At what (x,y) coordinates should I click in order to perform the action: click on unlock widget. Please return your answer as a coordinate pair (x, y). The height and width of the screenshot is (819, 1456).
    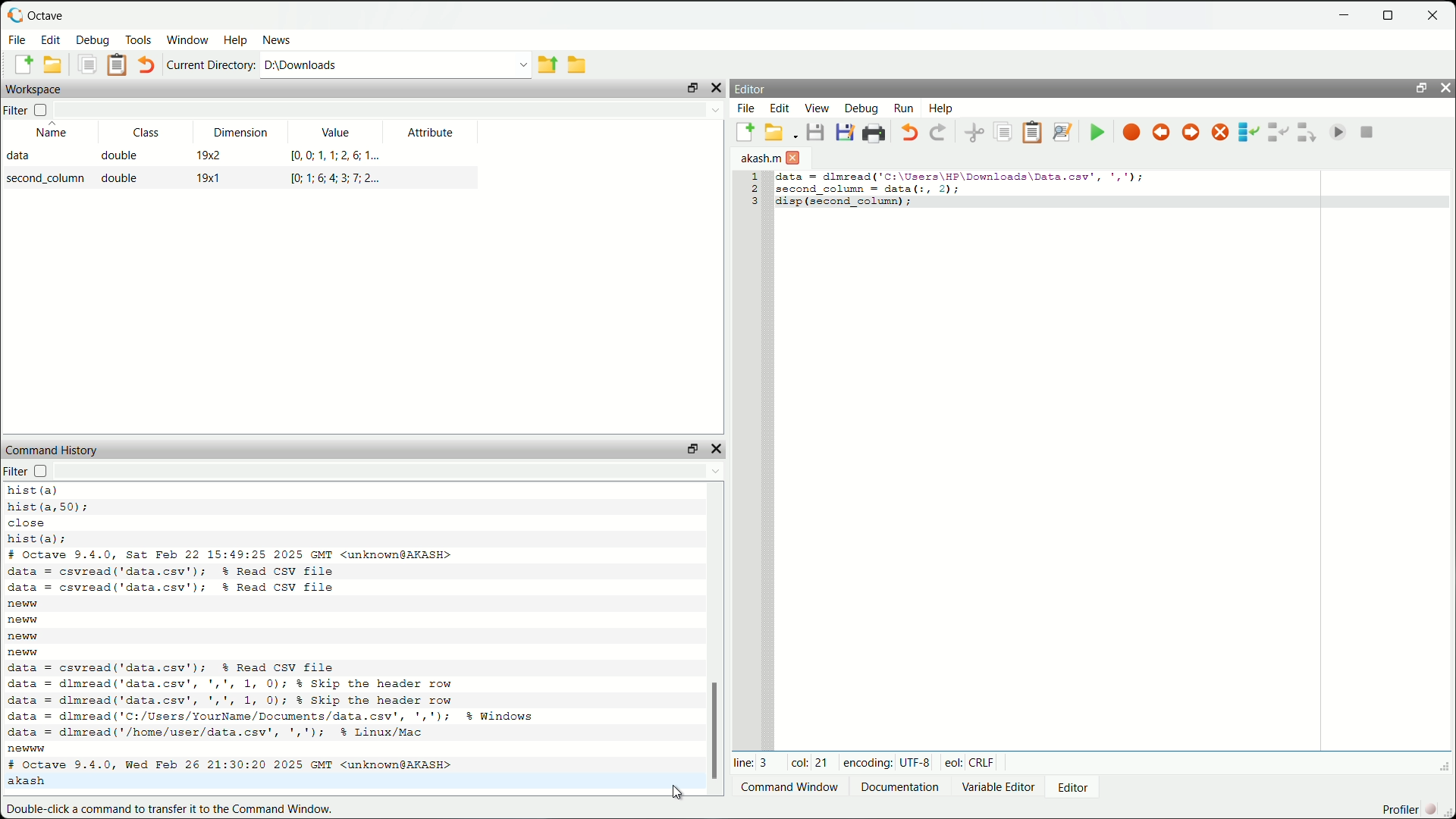
    Looking at the image, I should click on (693, 446).